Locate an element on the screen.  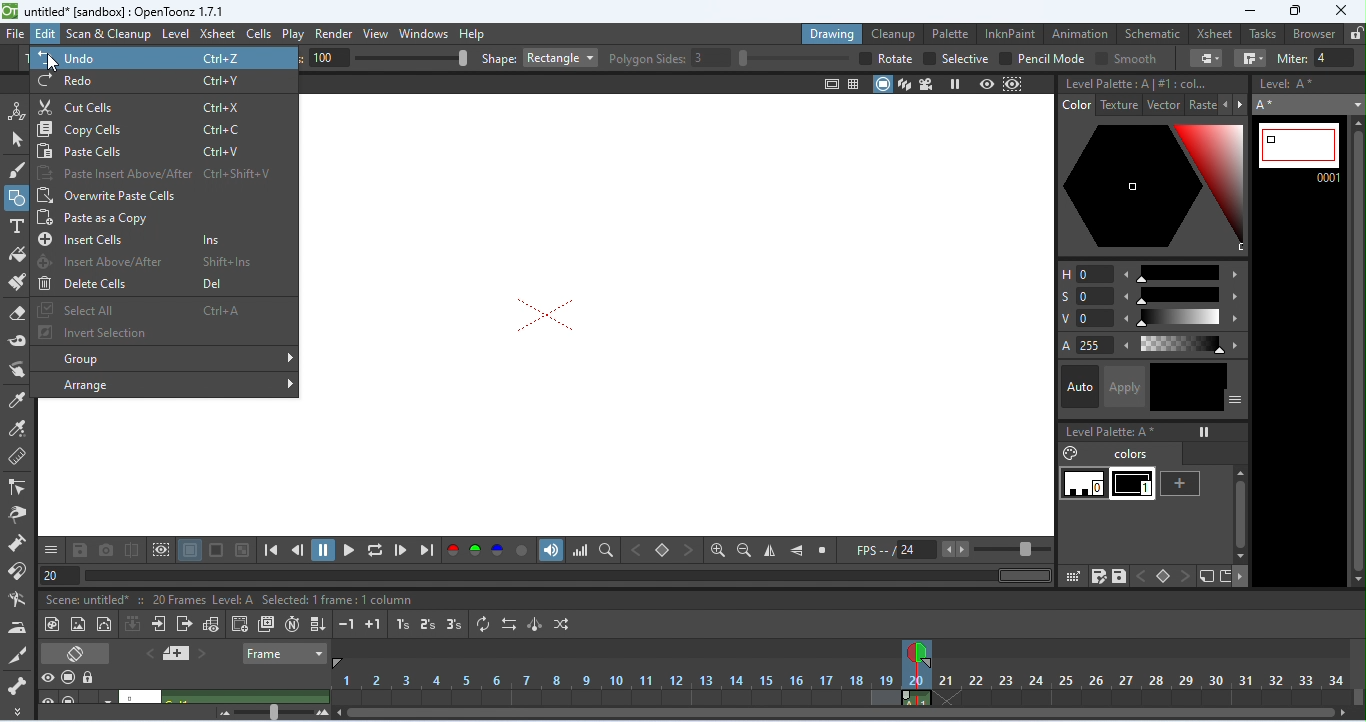
xsheet is located at coordinates (217, 34).